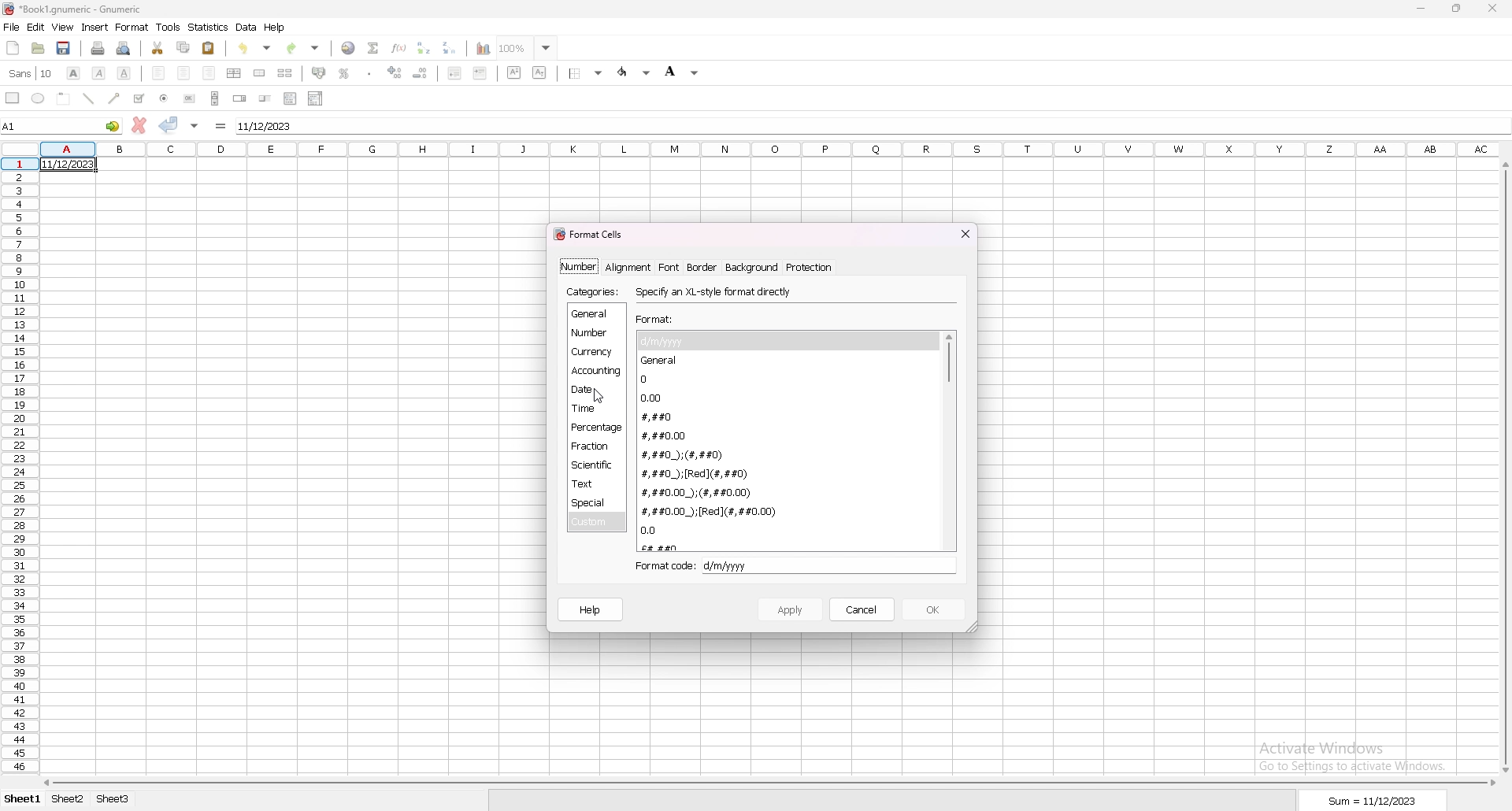 Image resolution: width=1512 pixels, height=811 pixels. I want to click on close, so click(1494, 9).